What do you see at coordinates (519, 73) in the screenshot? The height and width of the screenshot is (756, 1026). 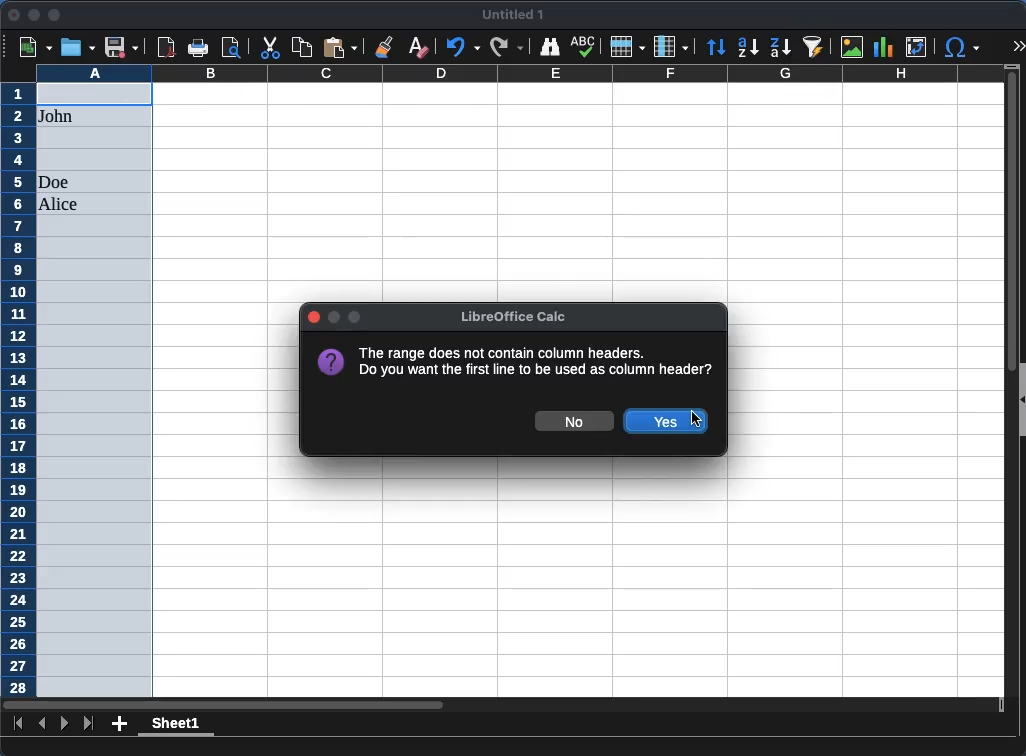 I see `column` at bounding box center [519, 73].